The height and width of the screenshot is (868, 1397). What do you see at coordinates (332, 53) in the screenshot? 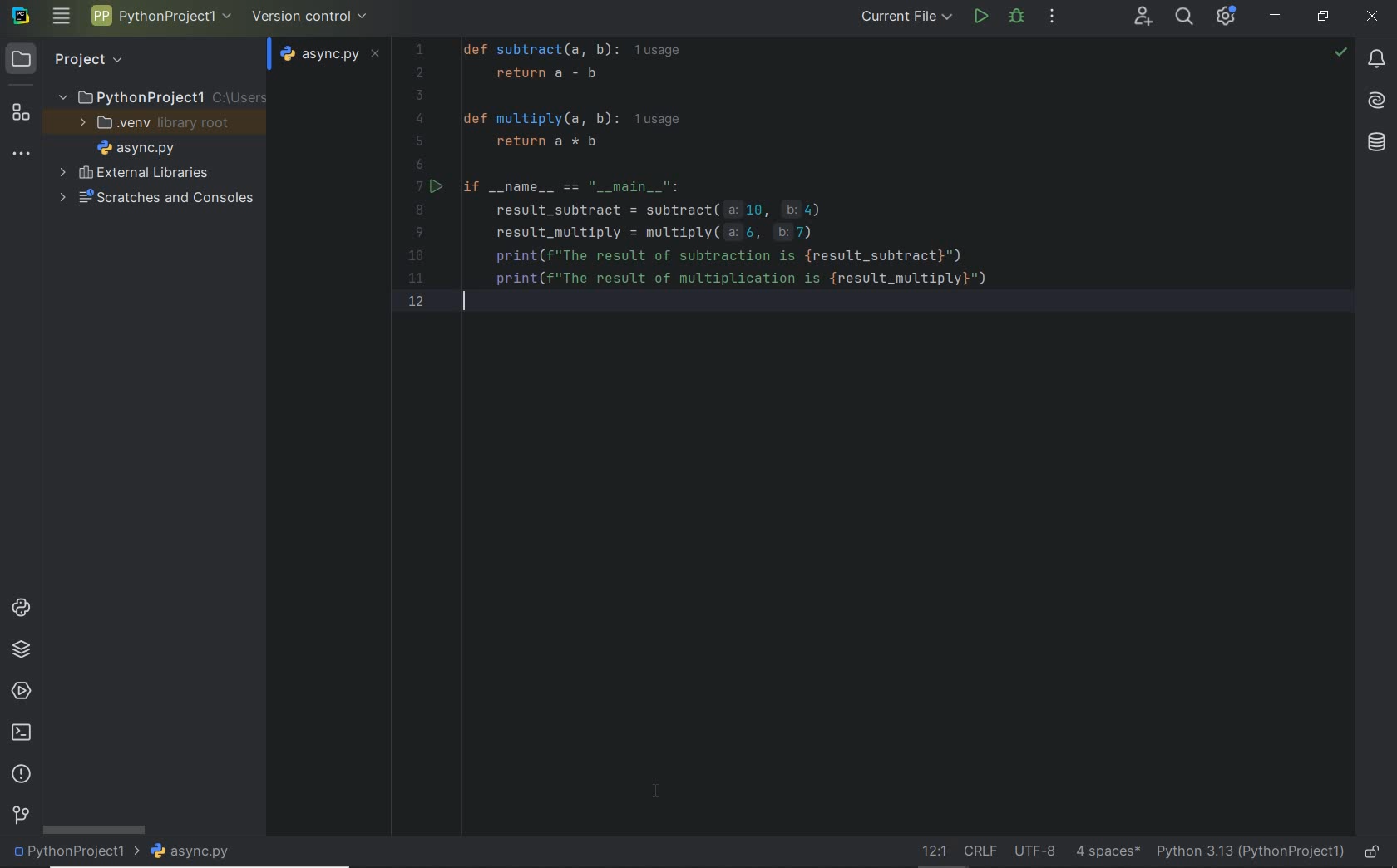
I see `file name` at bounding box center [332, 53].